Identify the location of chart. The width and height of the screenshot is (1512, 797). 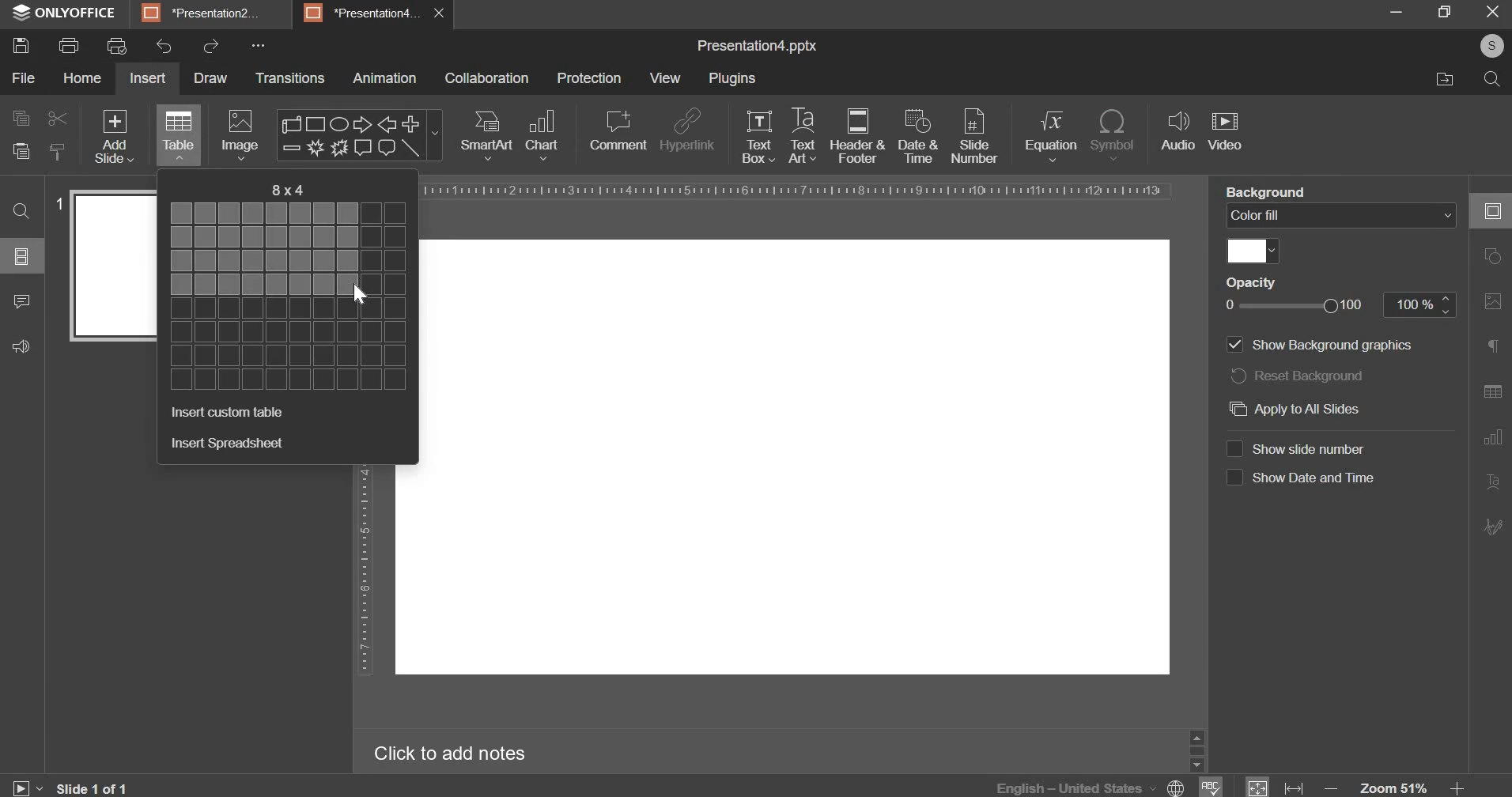
(542, 134).